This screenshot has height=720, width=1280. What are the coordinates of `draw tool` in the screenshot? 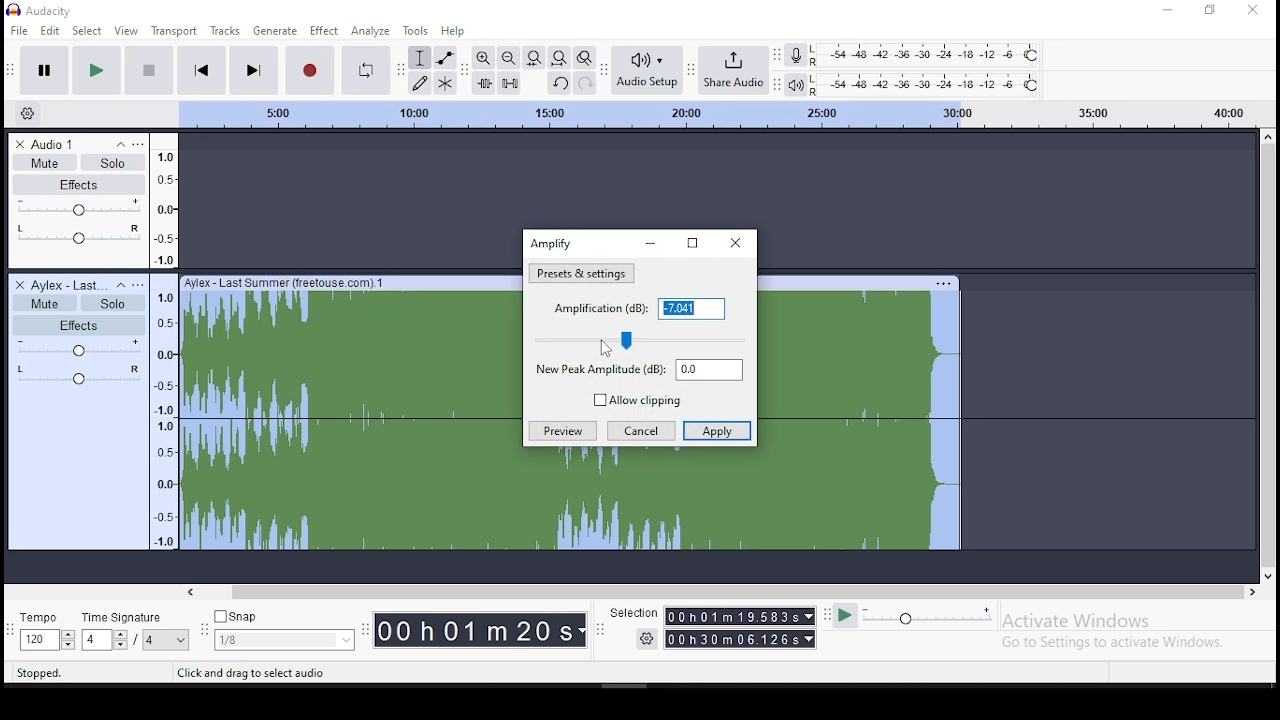 It's located at (418, 83).